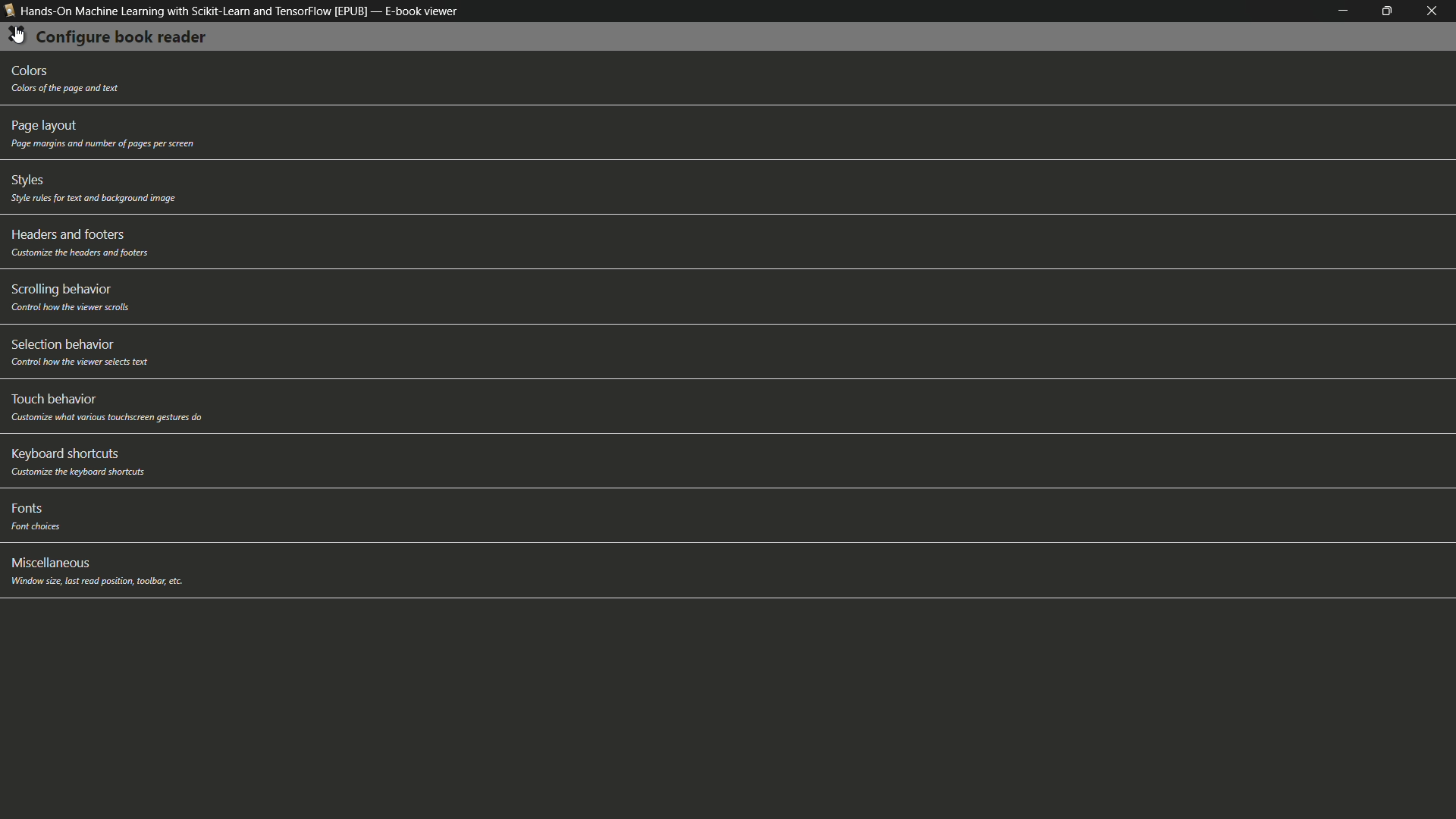  What do you see at coordinates (62, 343) in the screenshot?
I see `selection behavior` at bounding box center [62, 343].